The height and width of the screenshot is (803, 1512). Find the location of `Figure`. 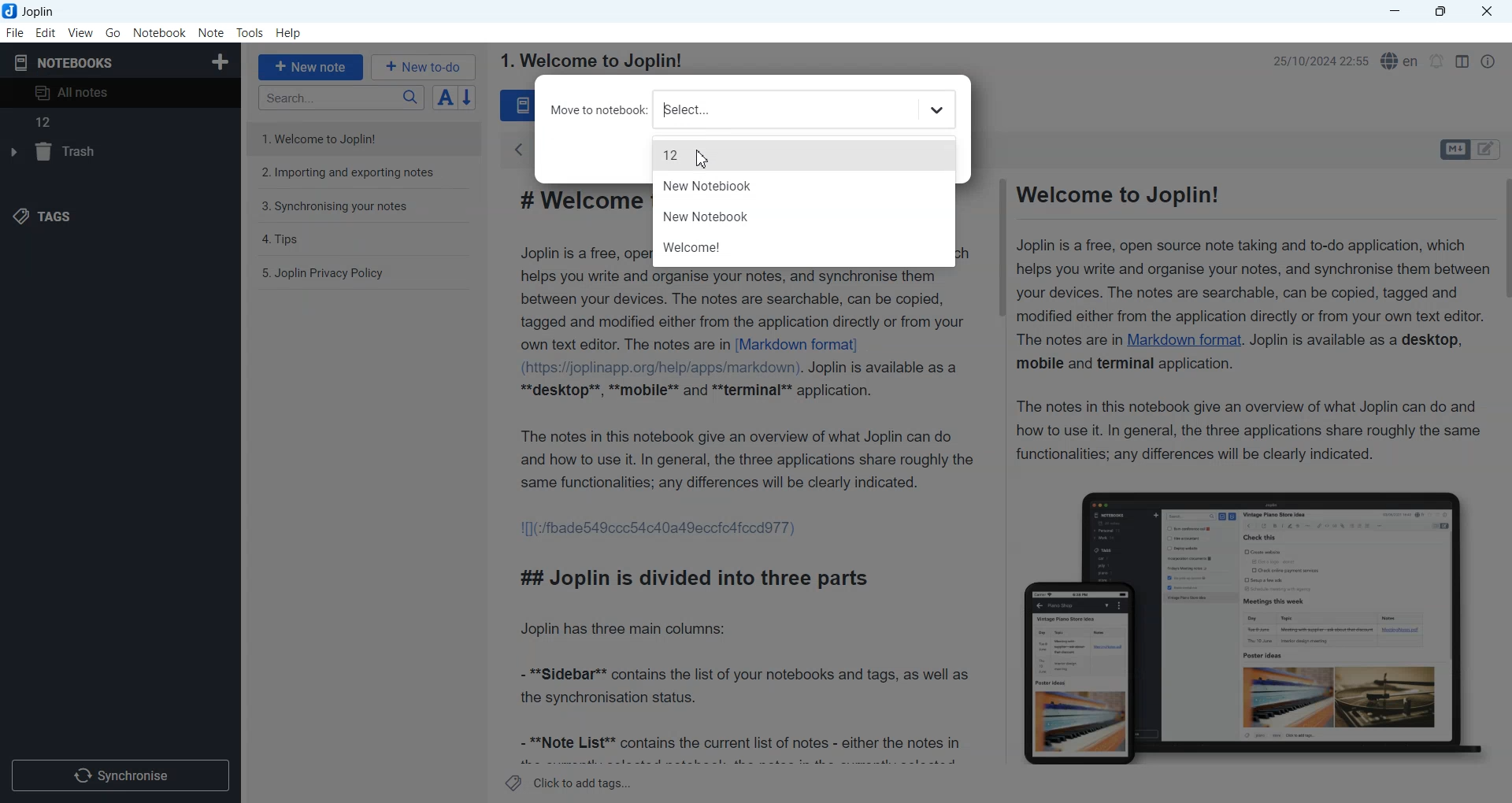

Figure is located at coordinates (1244, 620).